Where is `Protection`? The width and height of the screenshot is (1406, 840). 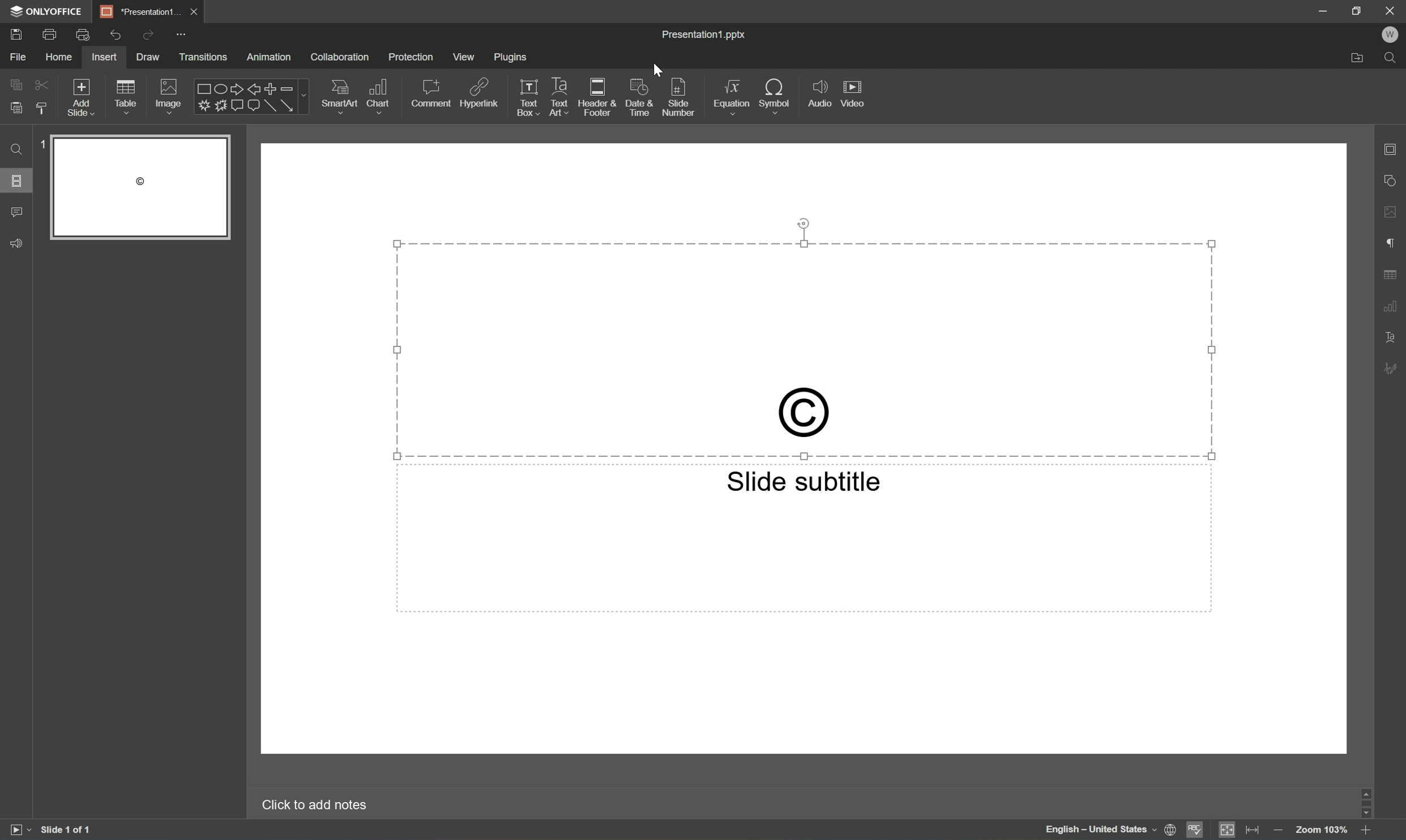 Protection is located at coordinates (409, 56).